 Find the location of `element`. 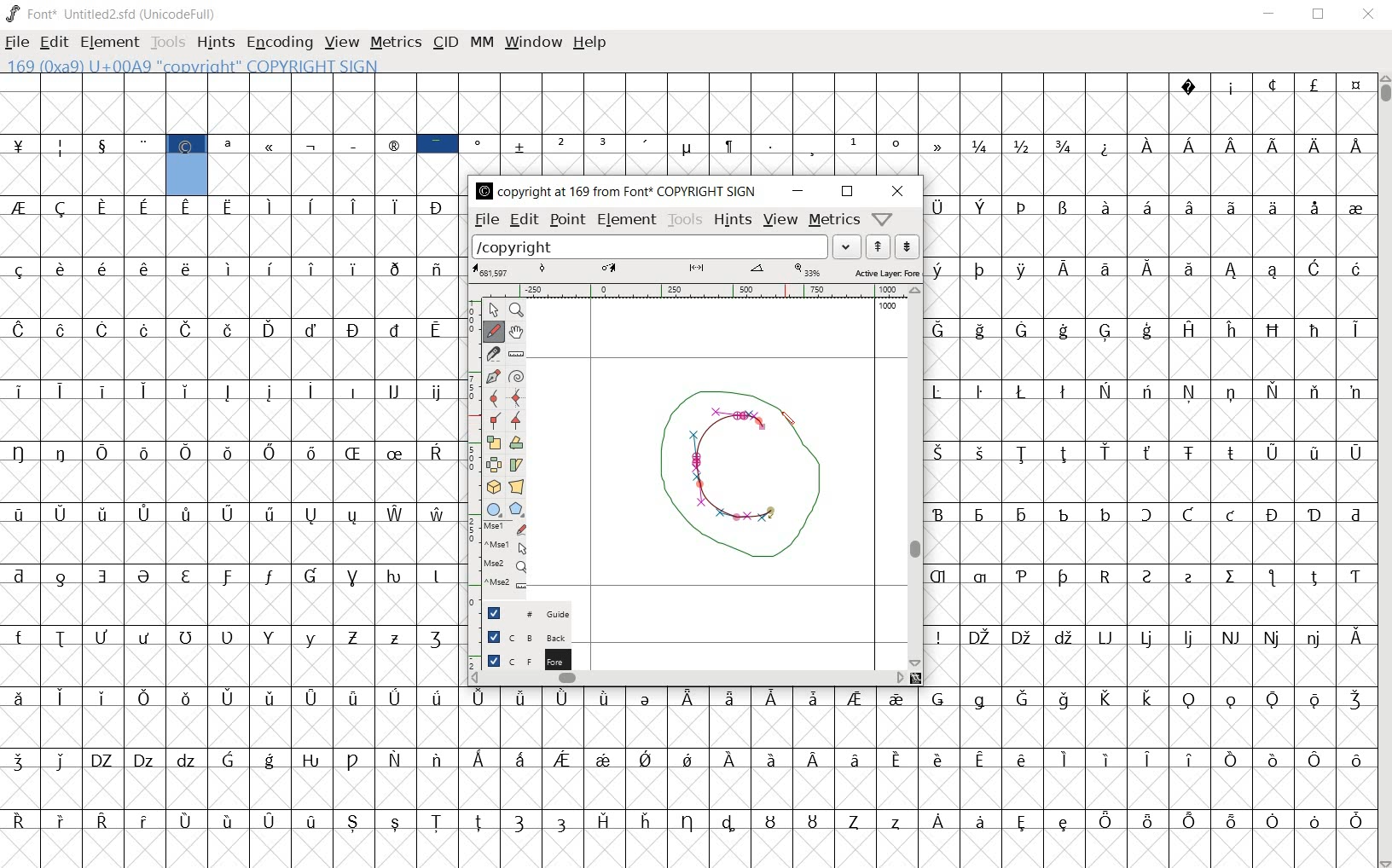

element is located at coordinates (627, 220).